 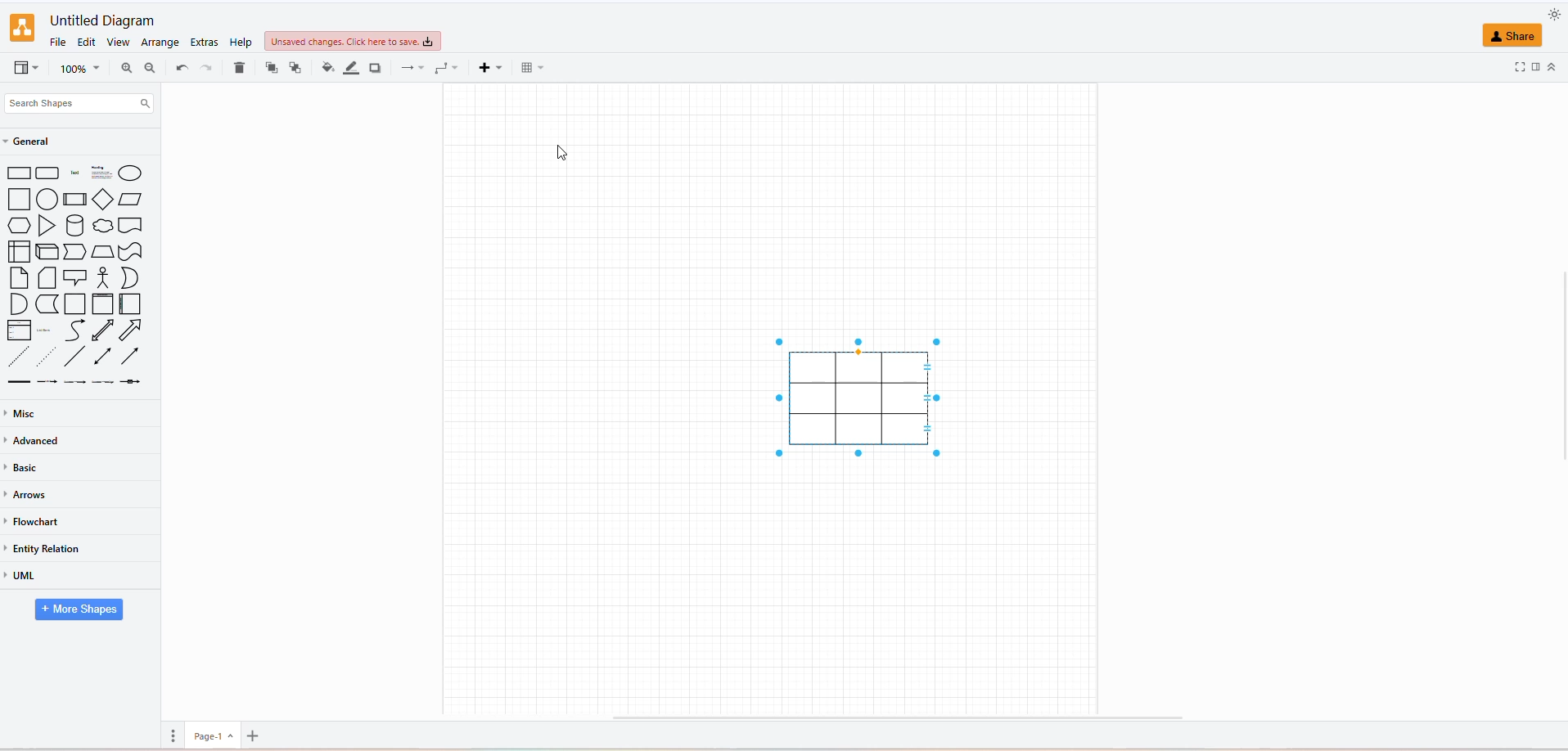 What do you see at coordinates (1512, 38) in the screenshot?
I see `share` at bounding box center [1512, 38].